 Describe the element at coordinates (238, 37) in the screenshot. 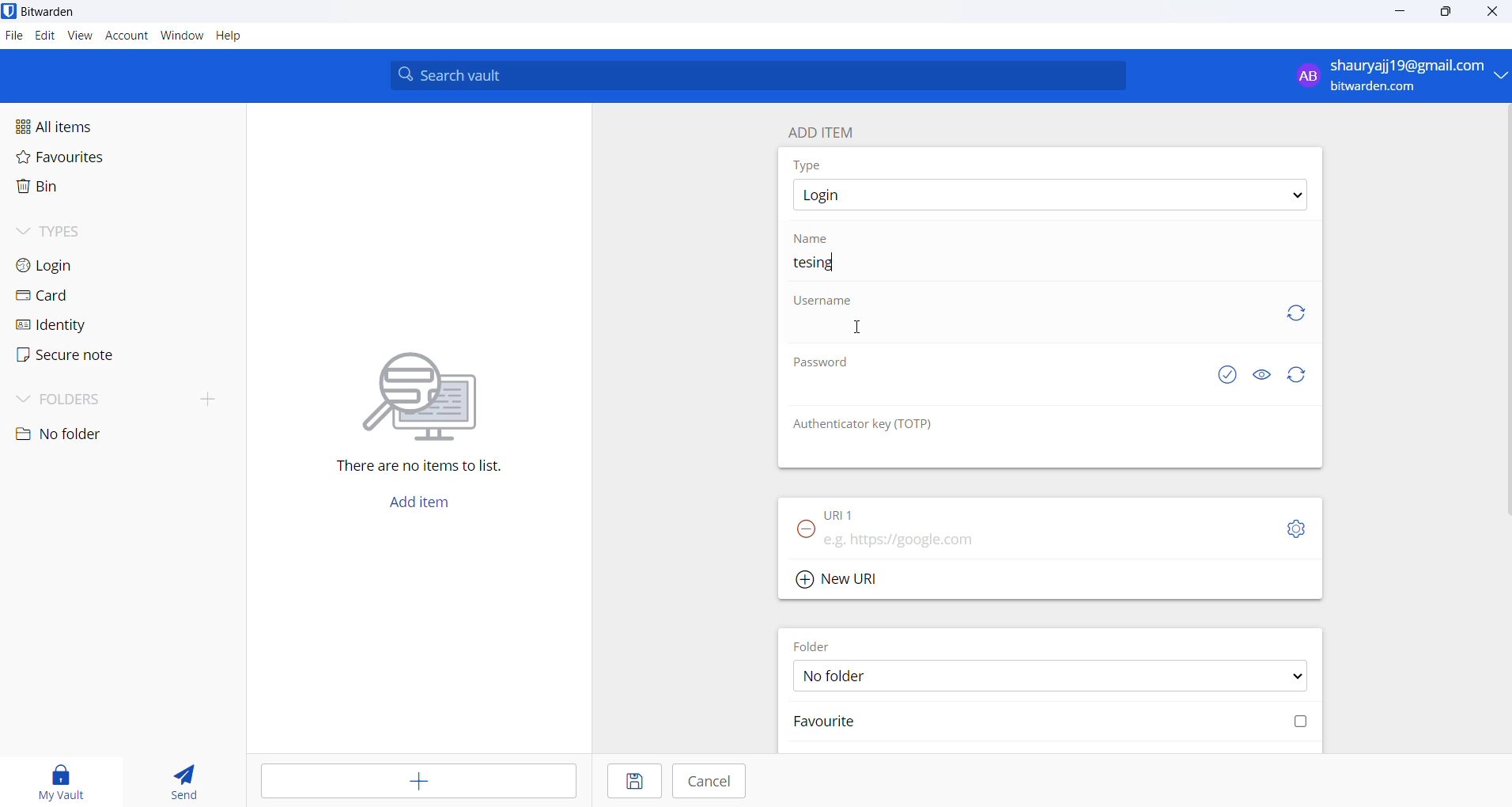

I see `Help` at that location.